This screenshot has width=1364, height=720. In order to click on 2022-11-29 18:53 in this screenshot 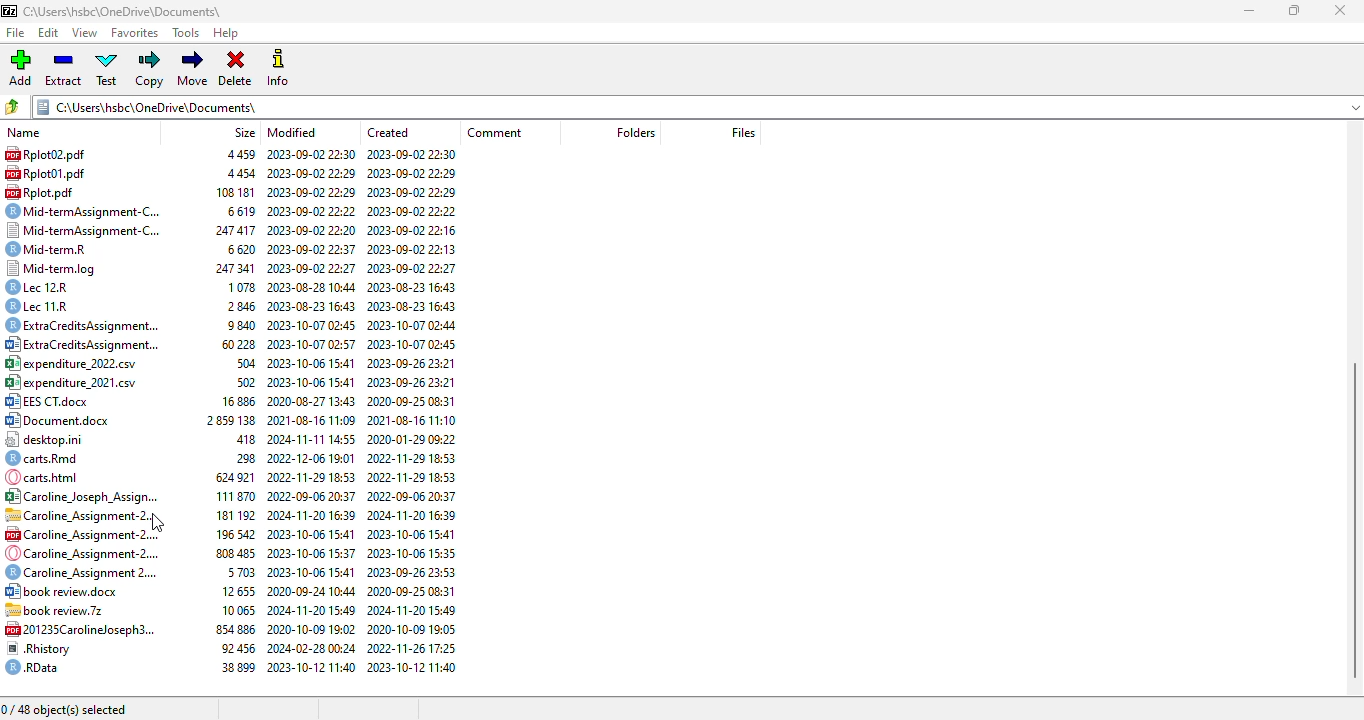, I will do `click(312, 476)`.